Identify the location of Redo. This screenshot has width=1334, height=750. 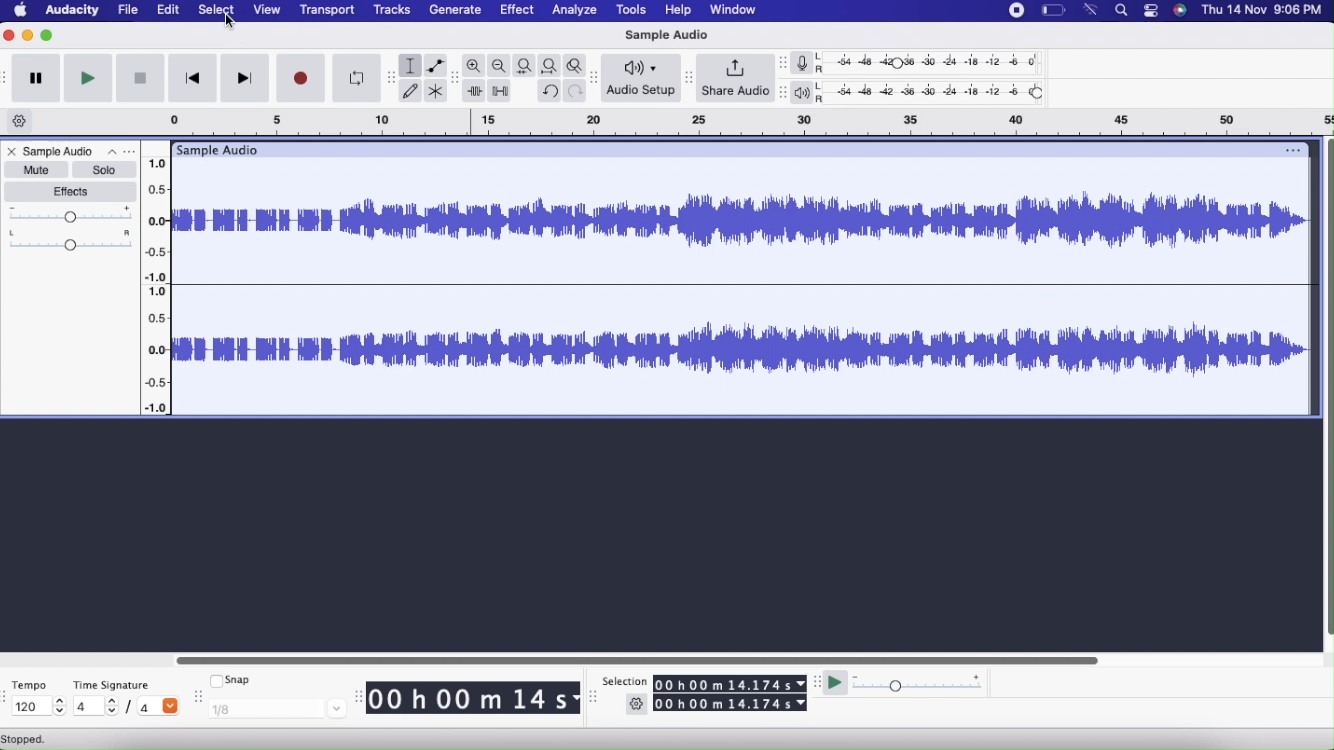
(576, 91).